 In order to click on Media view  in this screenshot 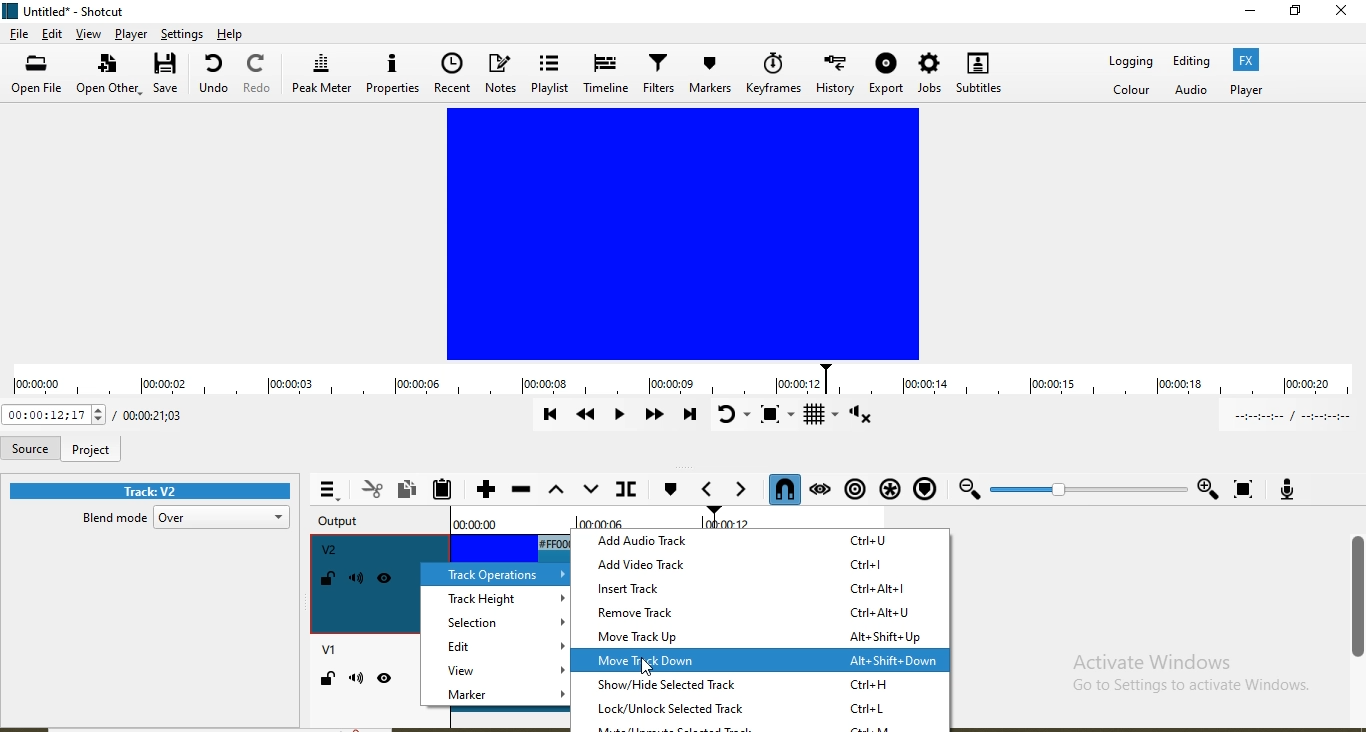, I will do `click(677, 234)`.